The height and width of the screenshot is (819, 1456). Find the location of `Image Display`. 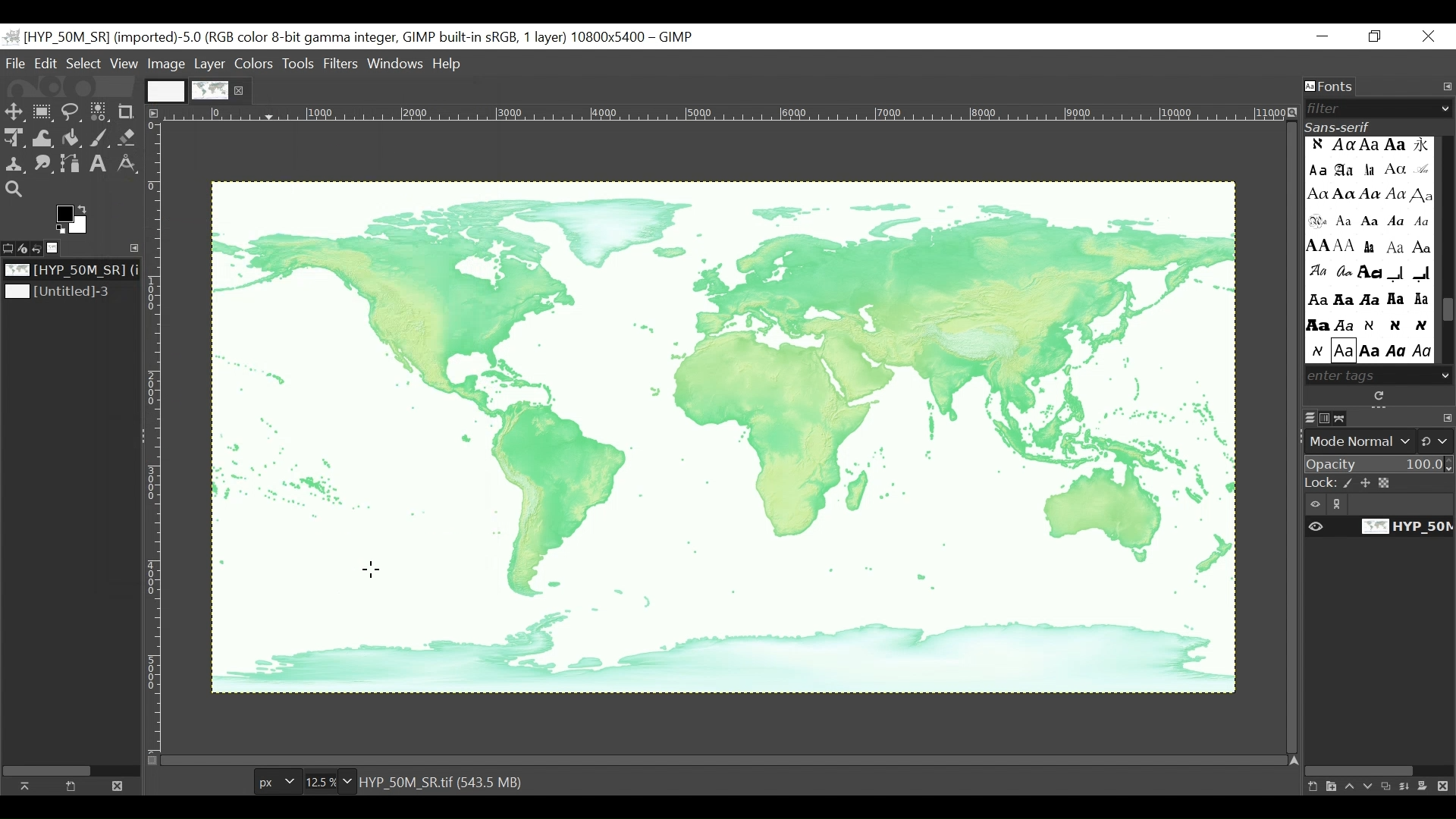

Image Display is located at coordinates (196, 89).